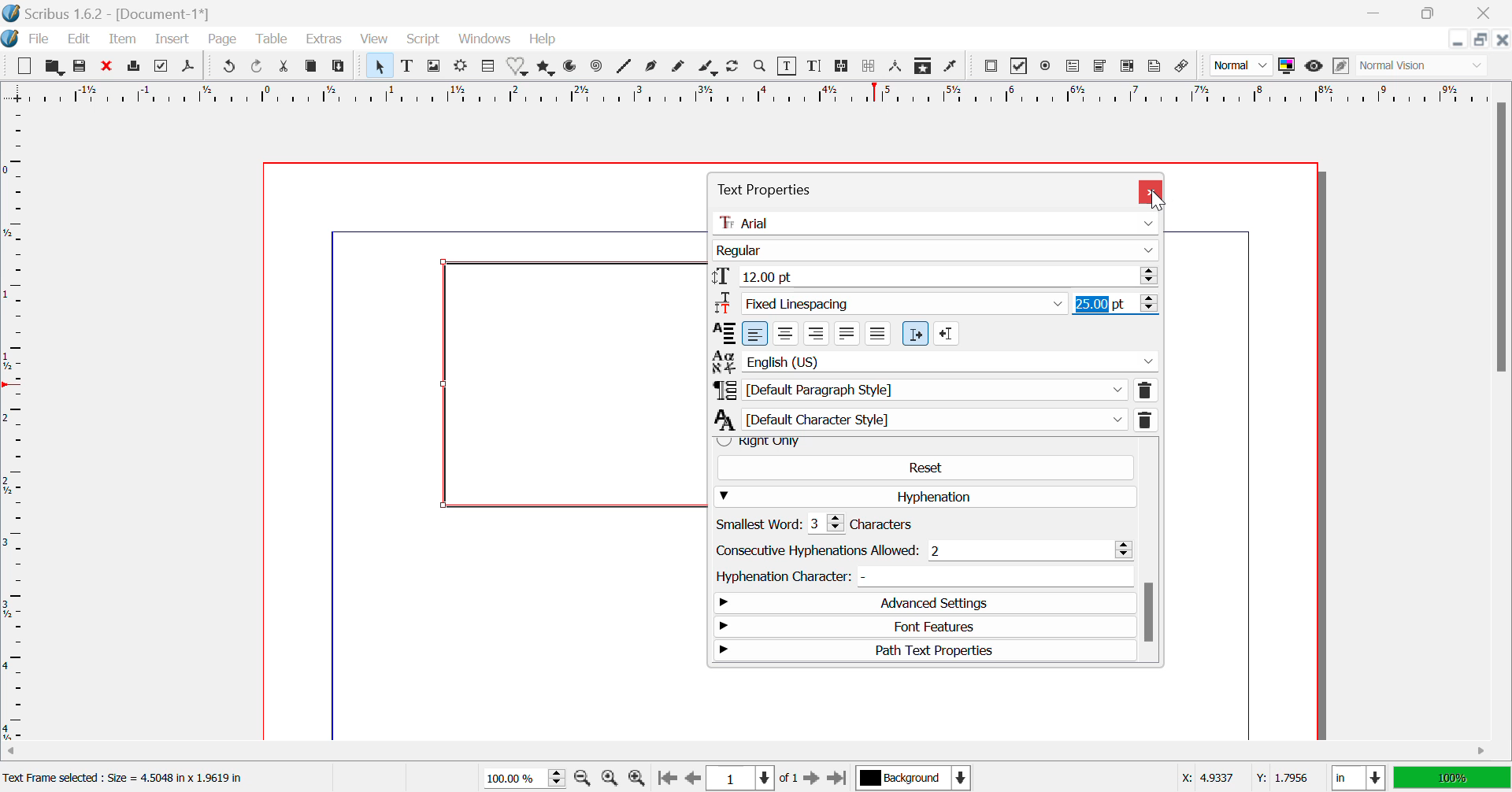  Describe the element at coordinates (1499, 418) in the screenshot. I see `Vertical Scroll Bar` at that location.